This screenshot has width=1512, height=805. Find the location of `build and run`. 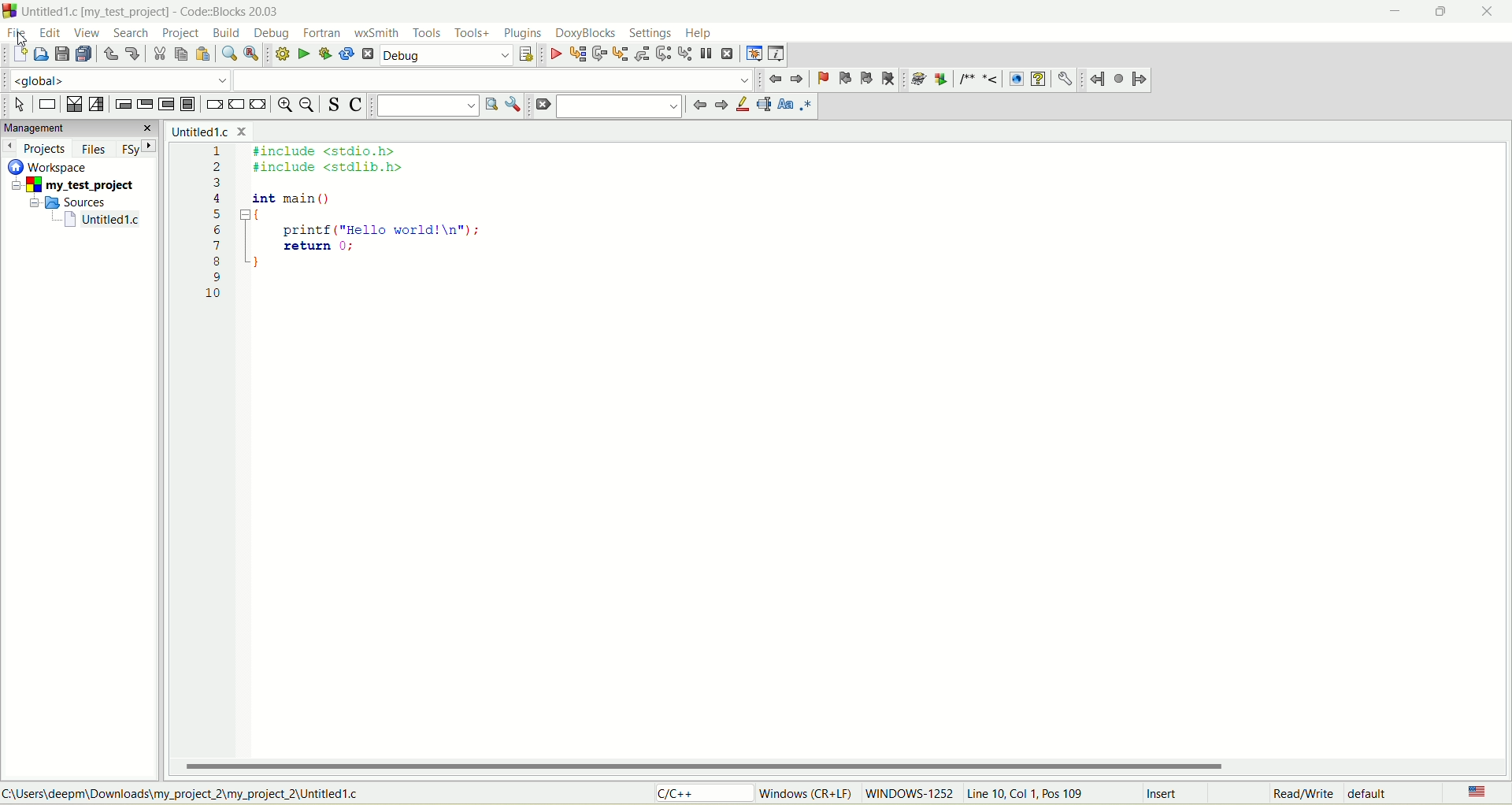

build and run is located at coordinates (326, 54).